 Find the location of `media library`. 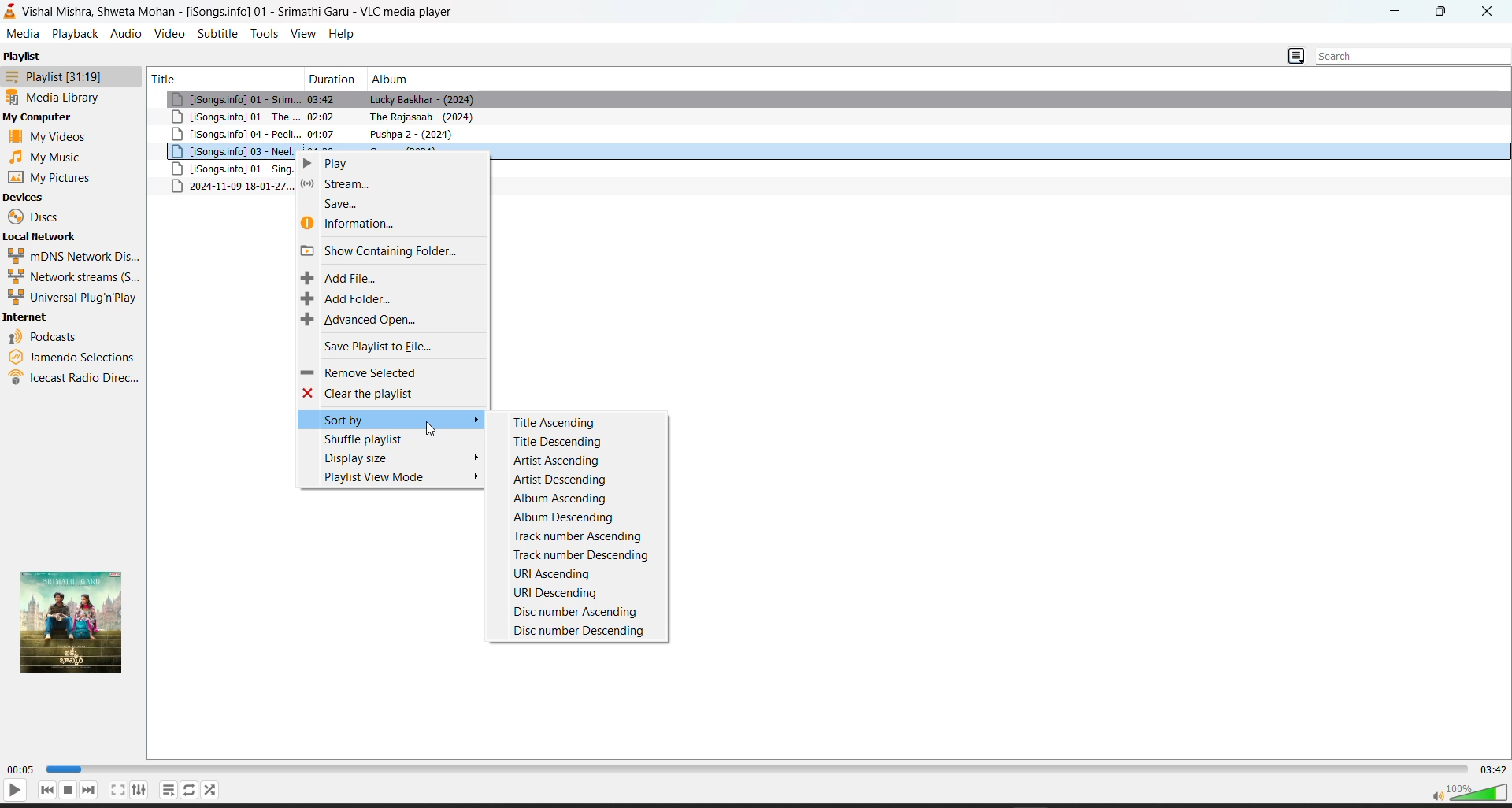

media library is located at coordinates (61, 97).